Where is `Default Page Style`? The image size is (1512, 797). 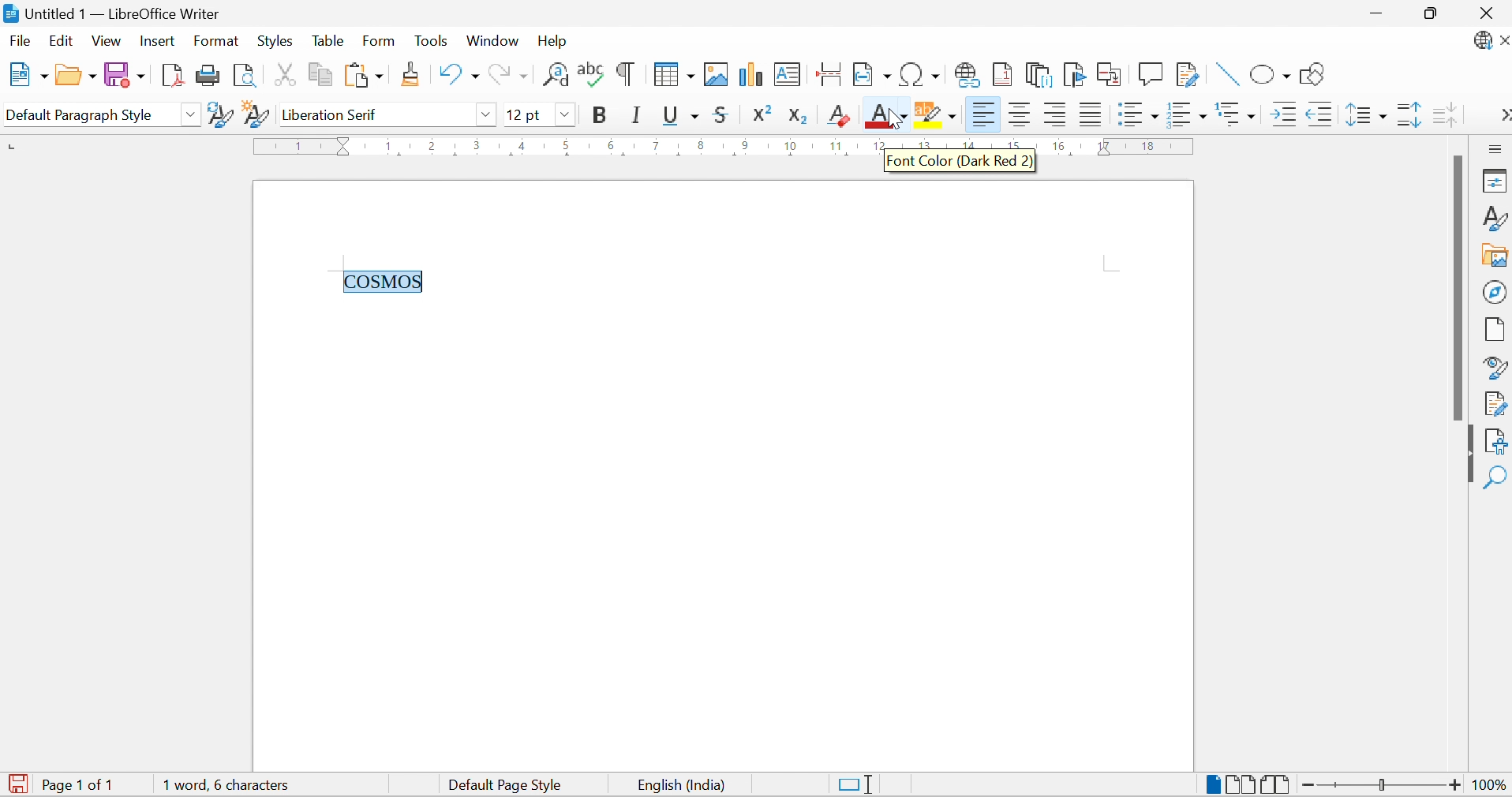 Default Page Style is located at coordinates (507, 785).